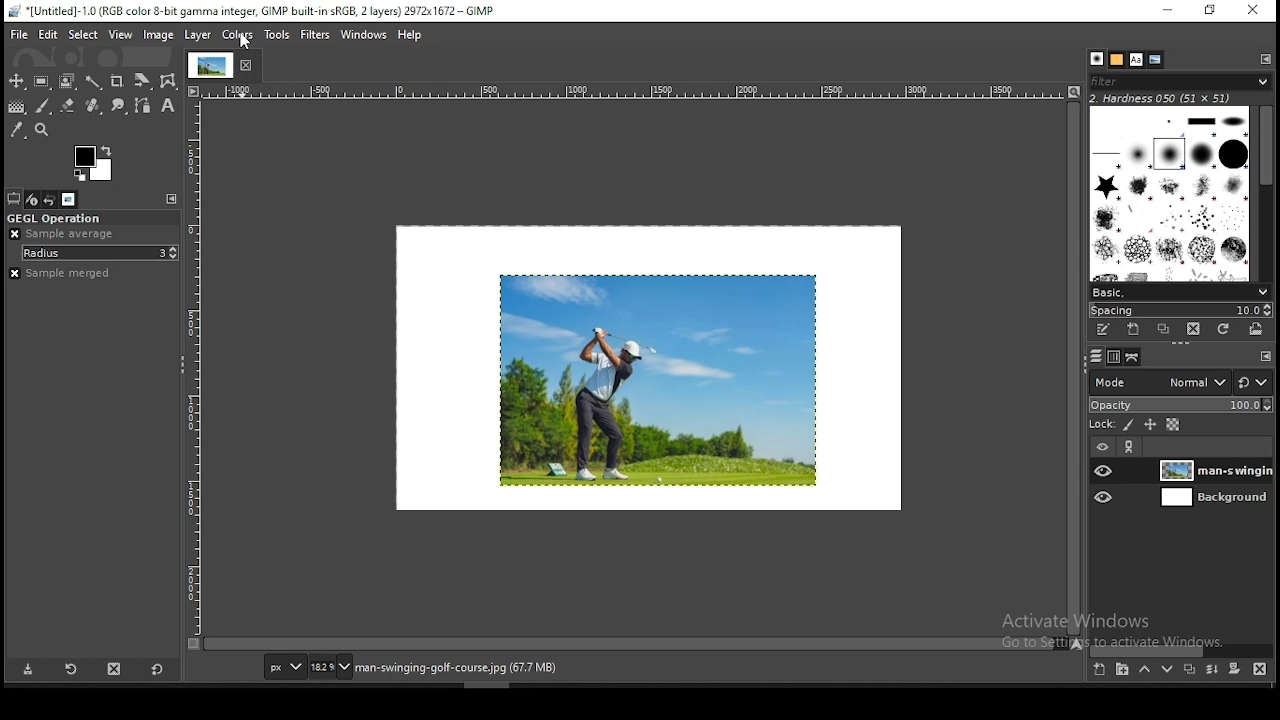  I want to click on tab, so click(210, 65).